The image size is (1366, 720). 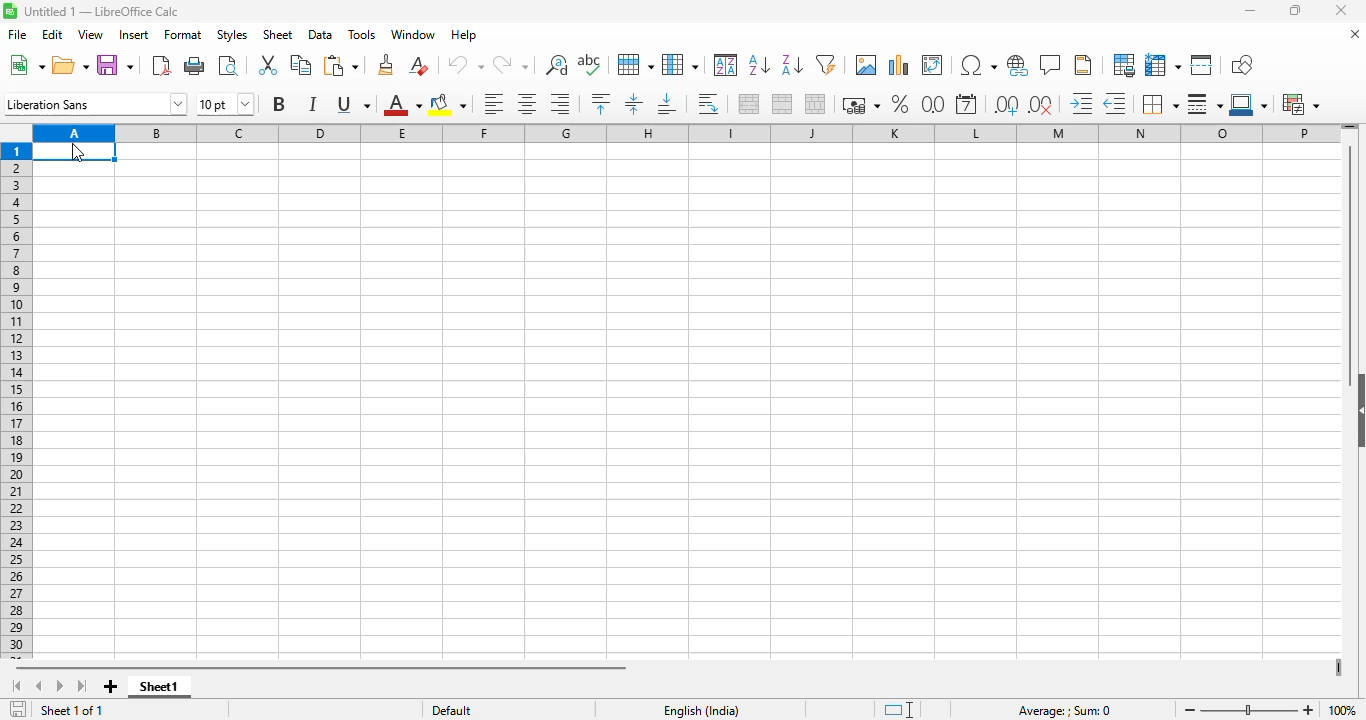 I want to click on spelling, so click(x=589, y=65).